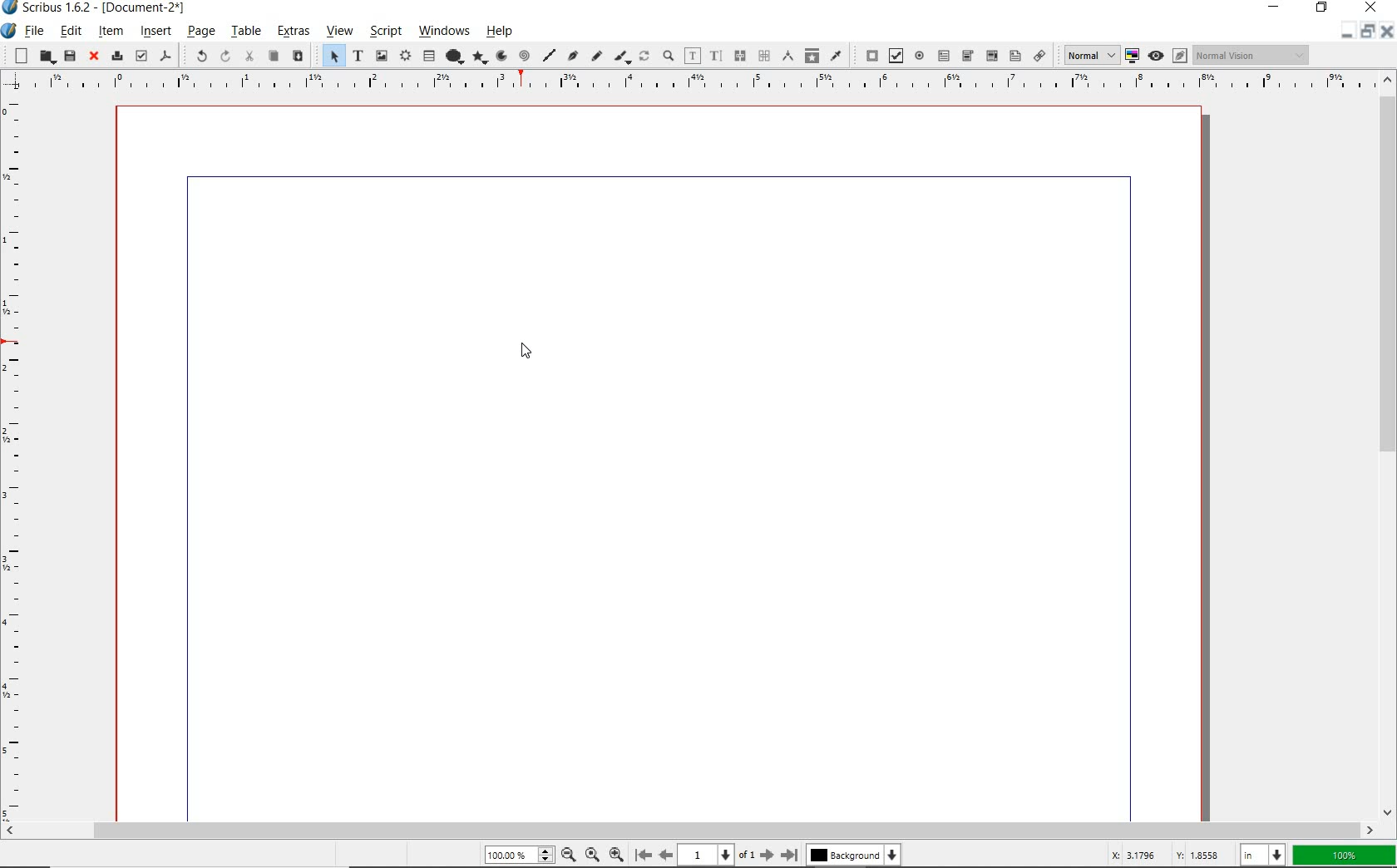  What do you see at coordinates (330, 56) in the screenshot?
I see `select item` at bounding box center [330, 56].